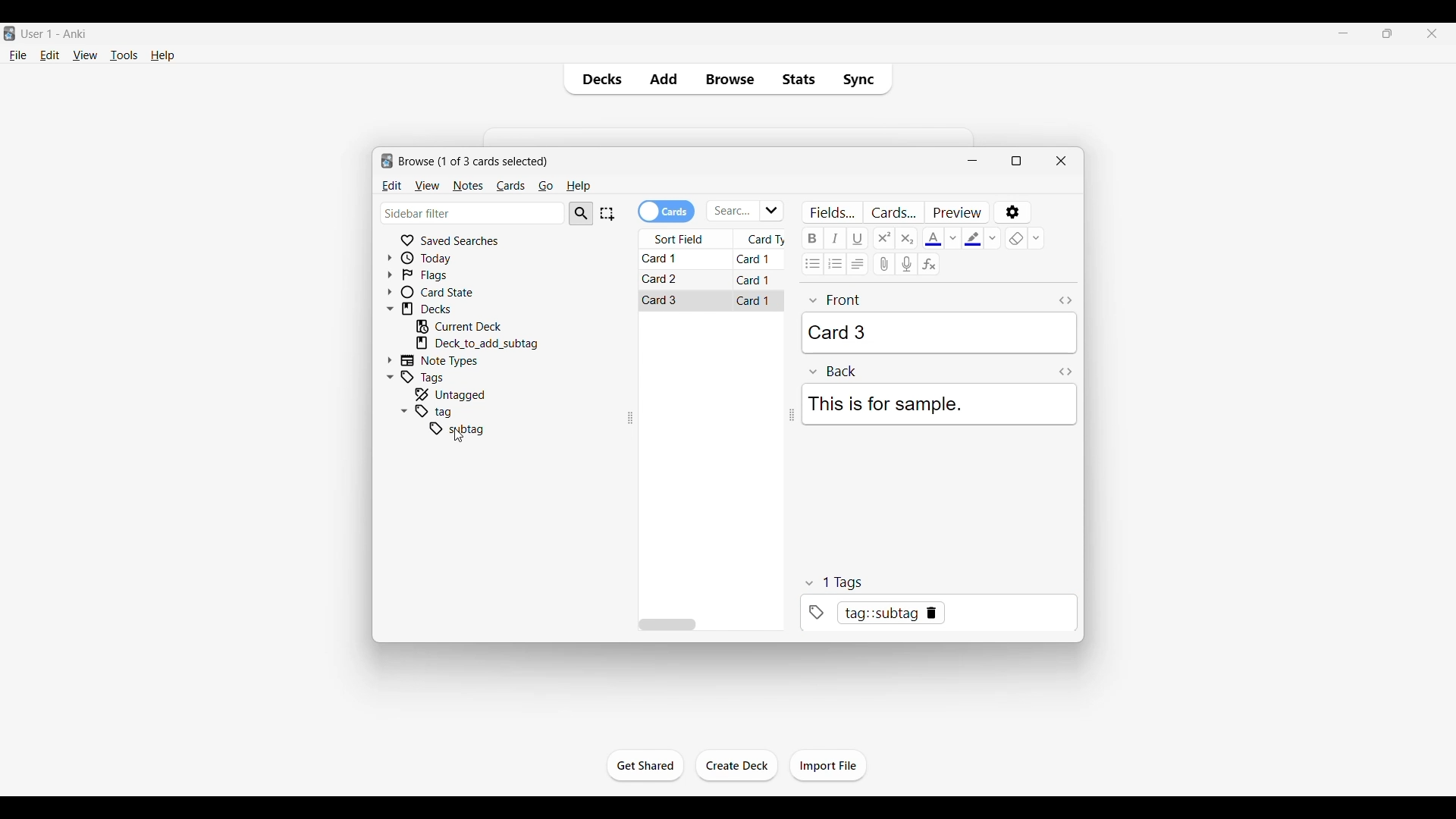 The image size is (1456, 819). I want to click on Equations, so click(929, 263).